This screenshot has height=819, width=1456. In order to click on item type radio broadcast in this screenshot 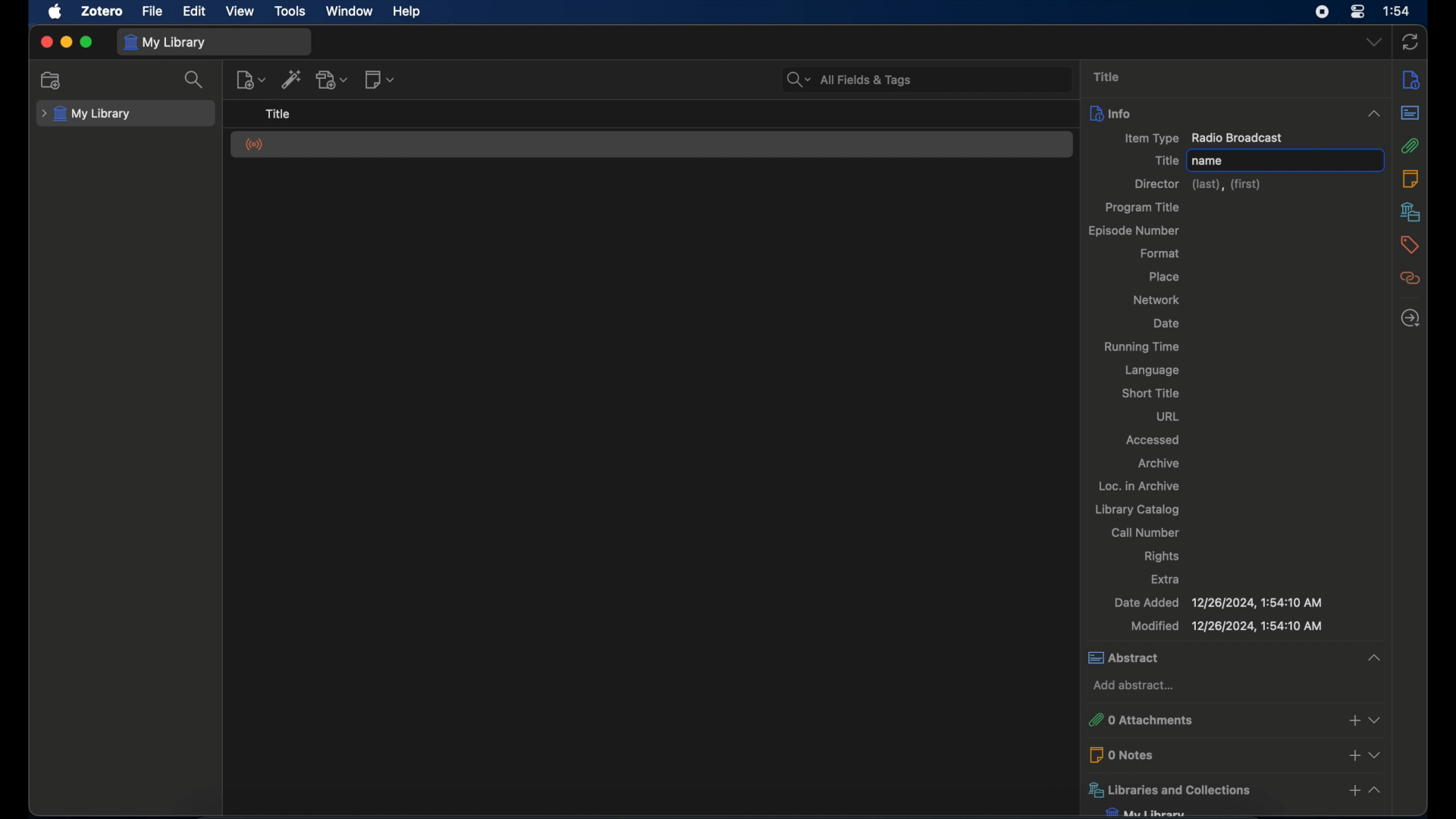, I will do `click(1203, 139)`.